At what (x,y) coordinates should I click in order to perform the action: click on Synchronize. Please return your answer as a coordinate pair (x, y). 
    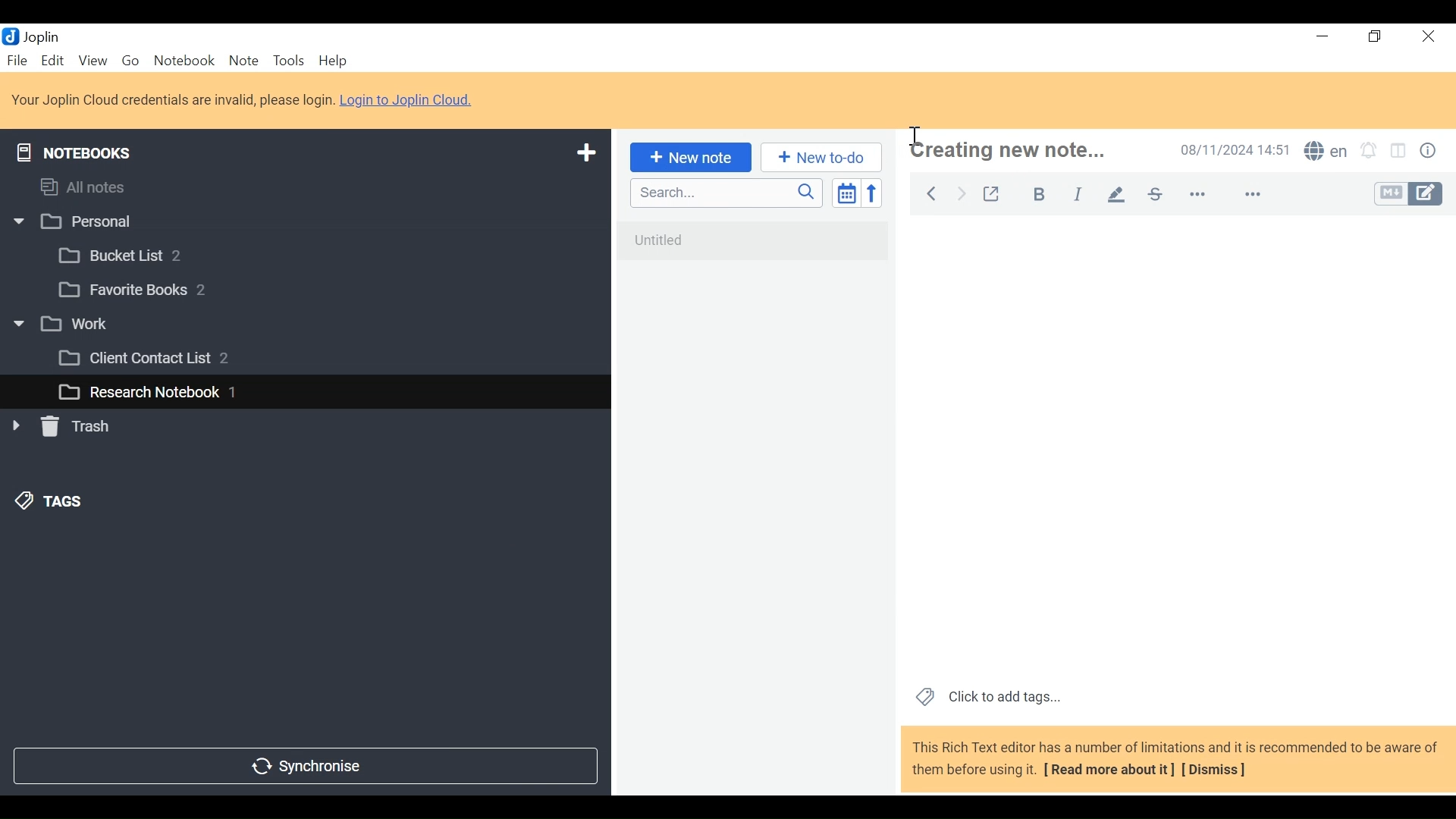
    Looking at the image, I should click on (304, 764).